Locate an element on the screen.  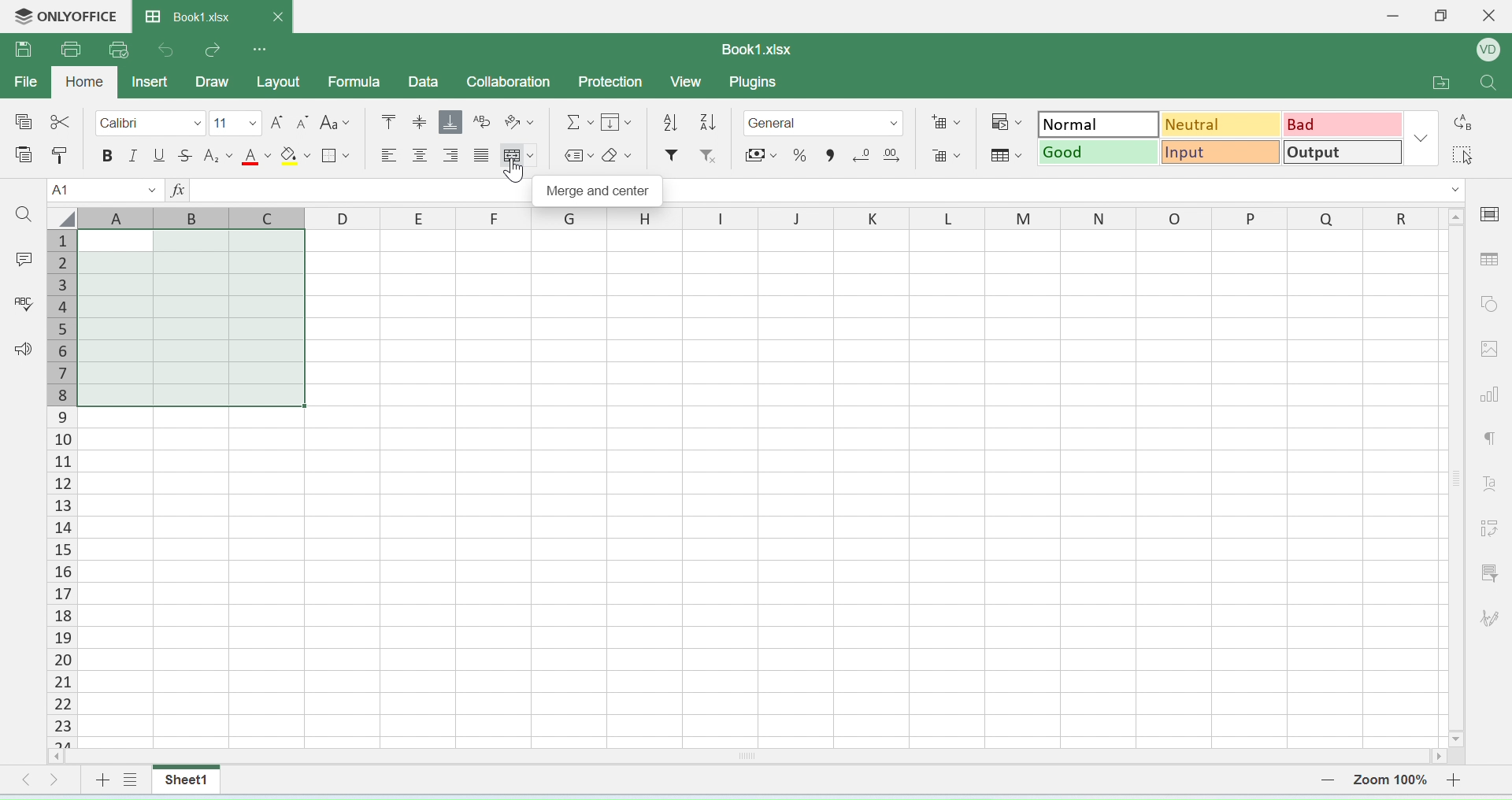
descending order is located at coordinates (667, 123).